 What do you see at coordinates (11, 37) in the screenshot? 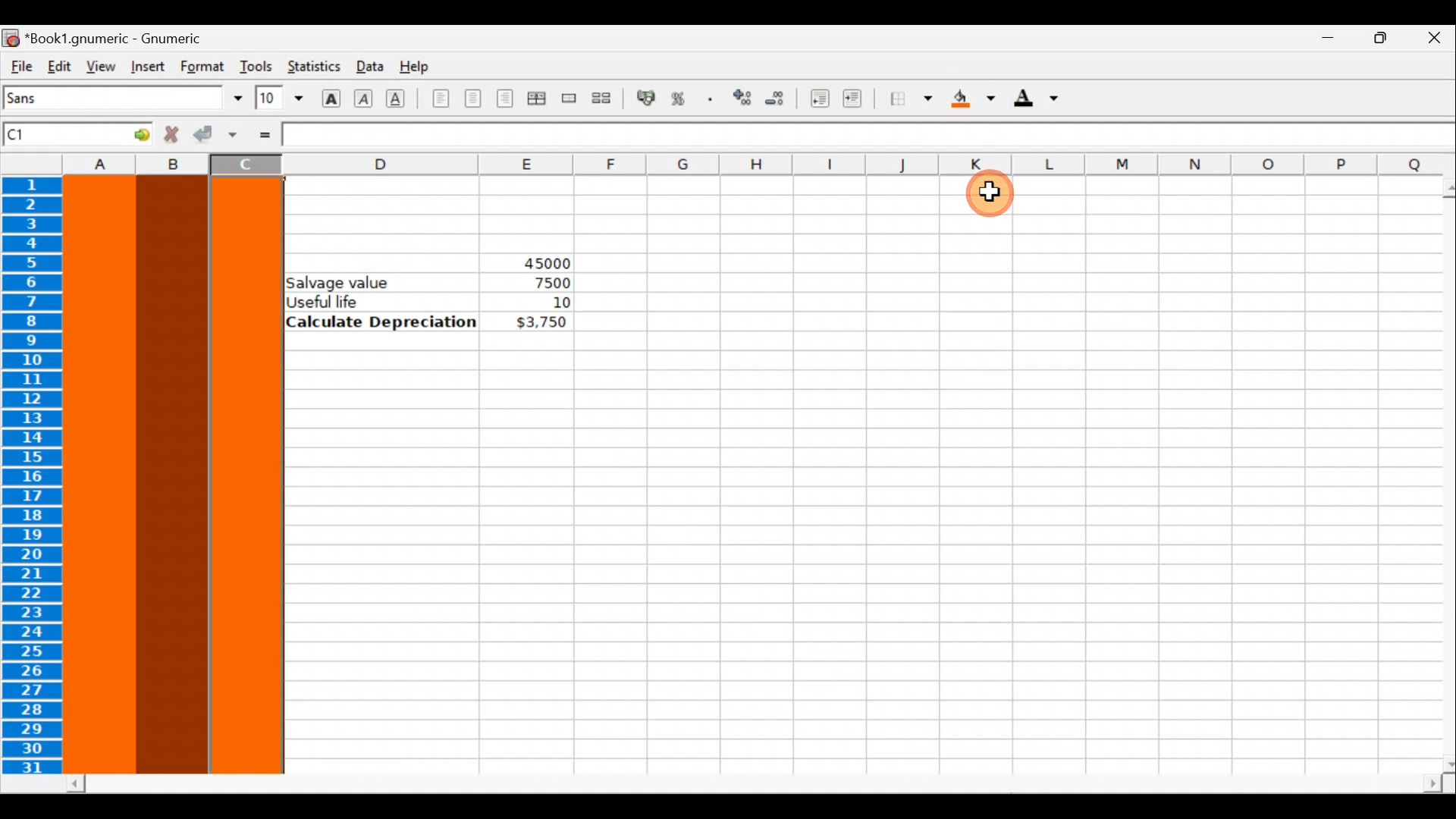
I see `Gnumeric logo` at bounding box center [11, 37].